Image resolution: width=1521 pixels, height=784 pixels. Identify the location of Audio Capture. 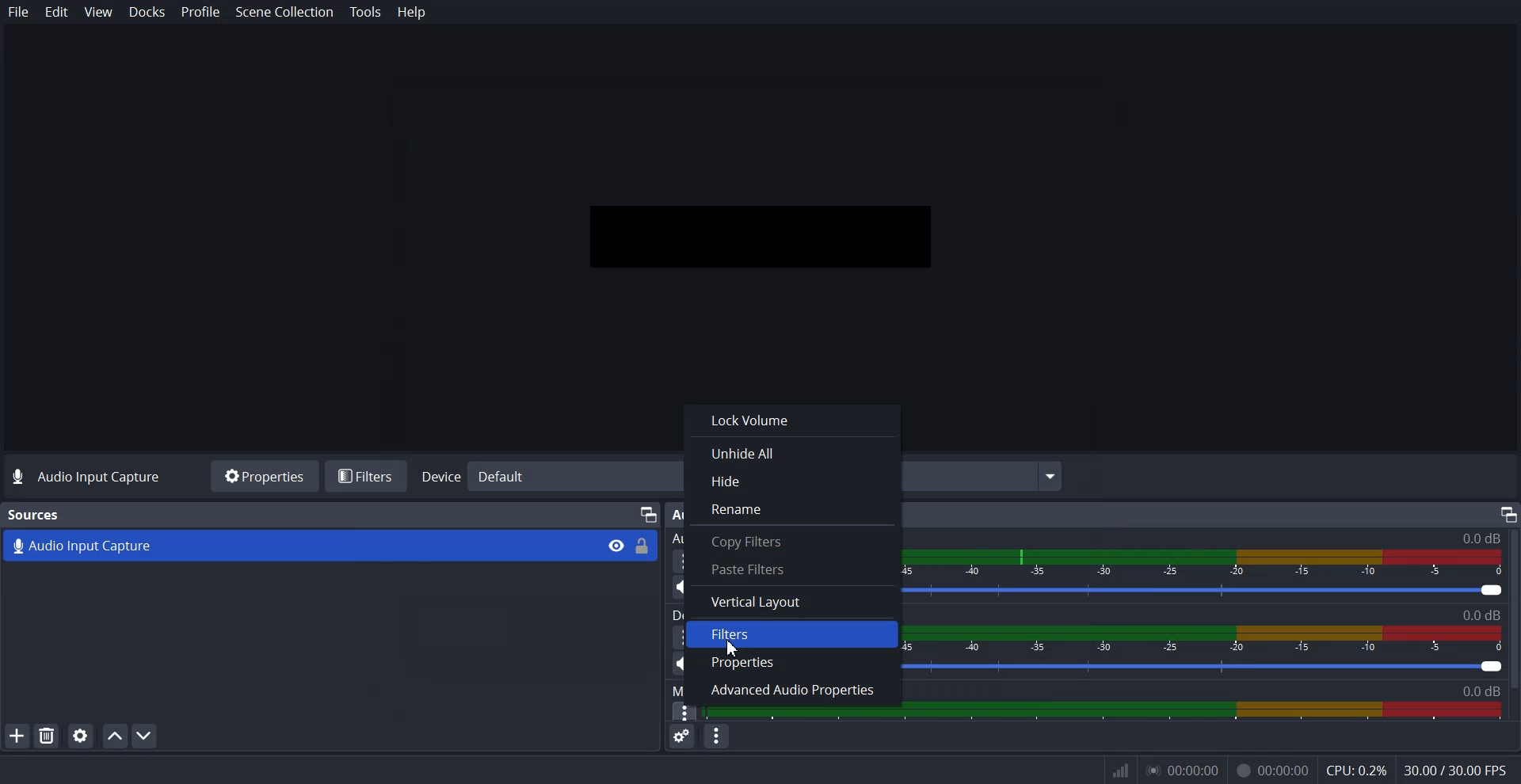
(286, 546).